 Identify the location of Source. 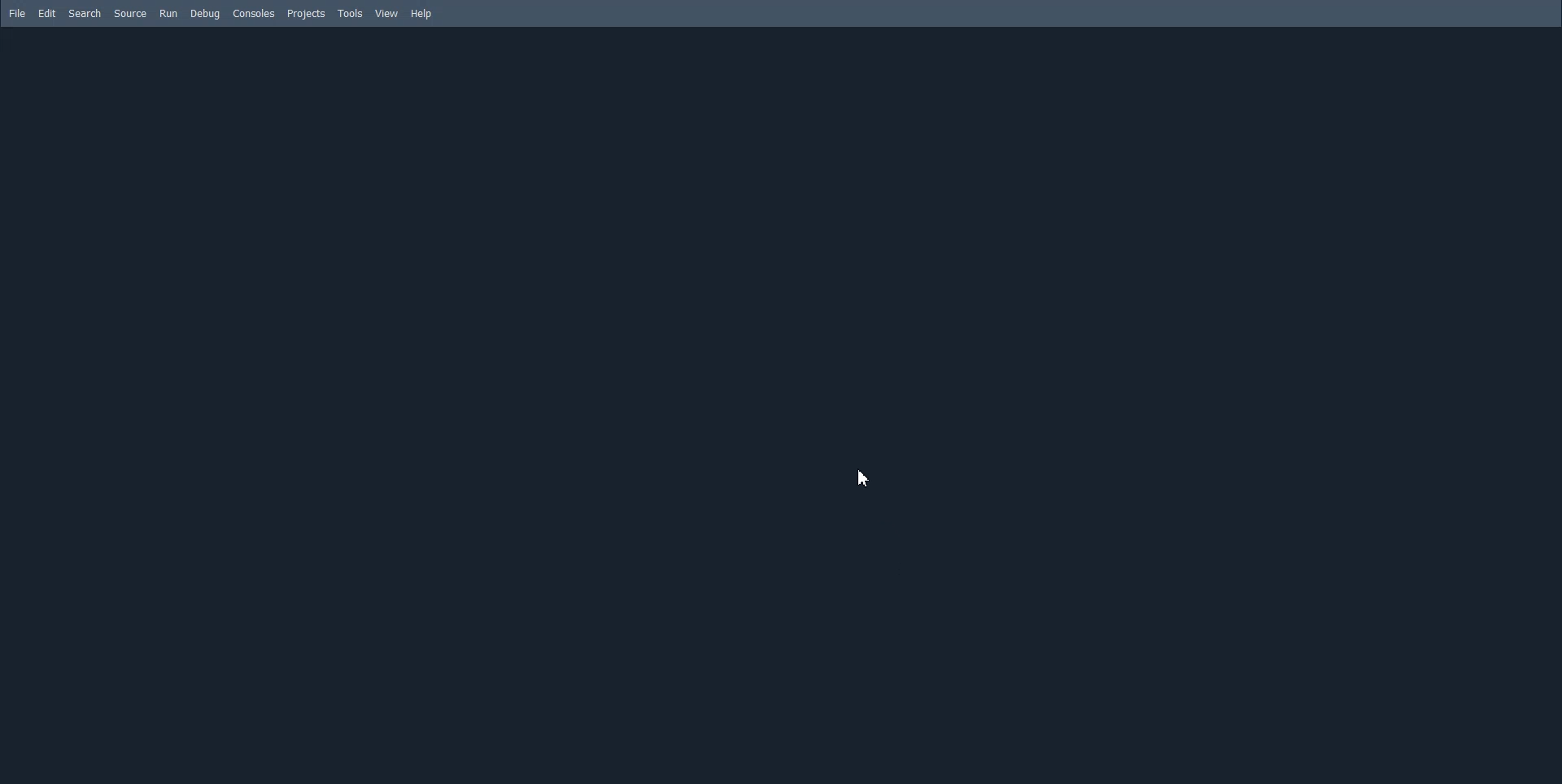
(131, 13).